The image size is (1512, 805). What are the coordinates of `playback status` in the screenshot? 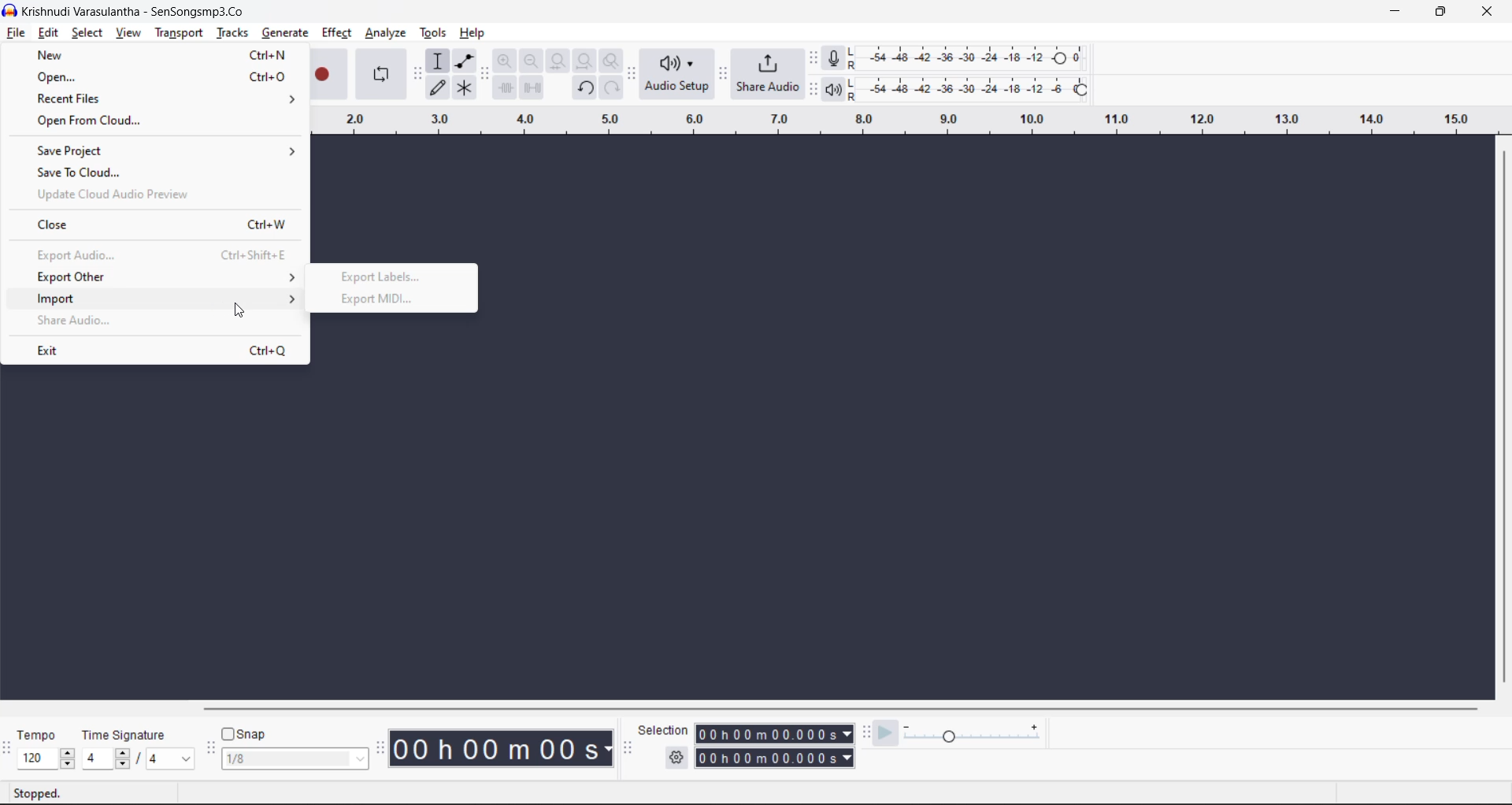 It's located at (47, 792).